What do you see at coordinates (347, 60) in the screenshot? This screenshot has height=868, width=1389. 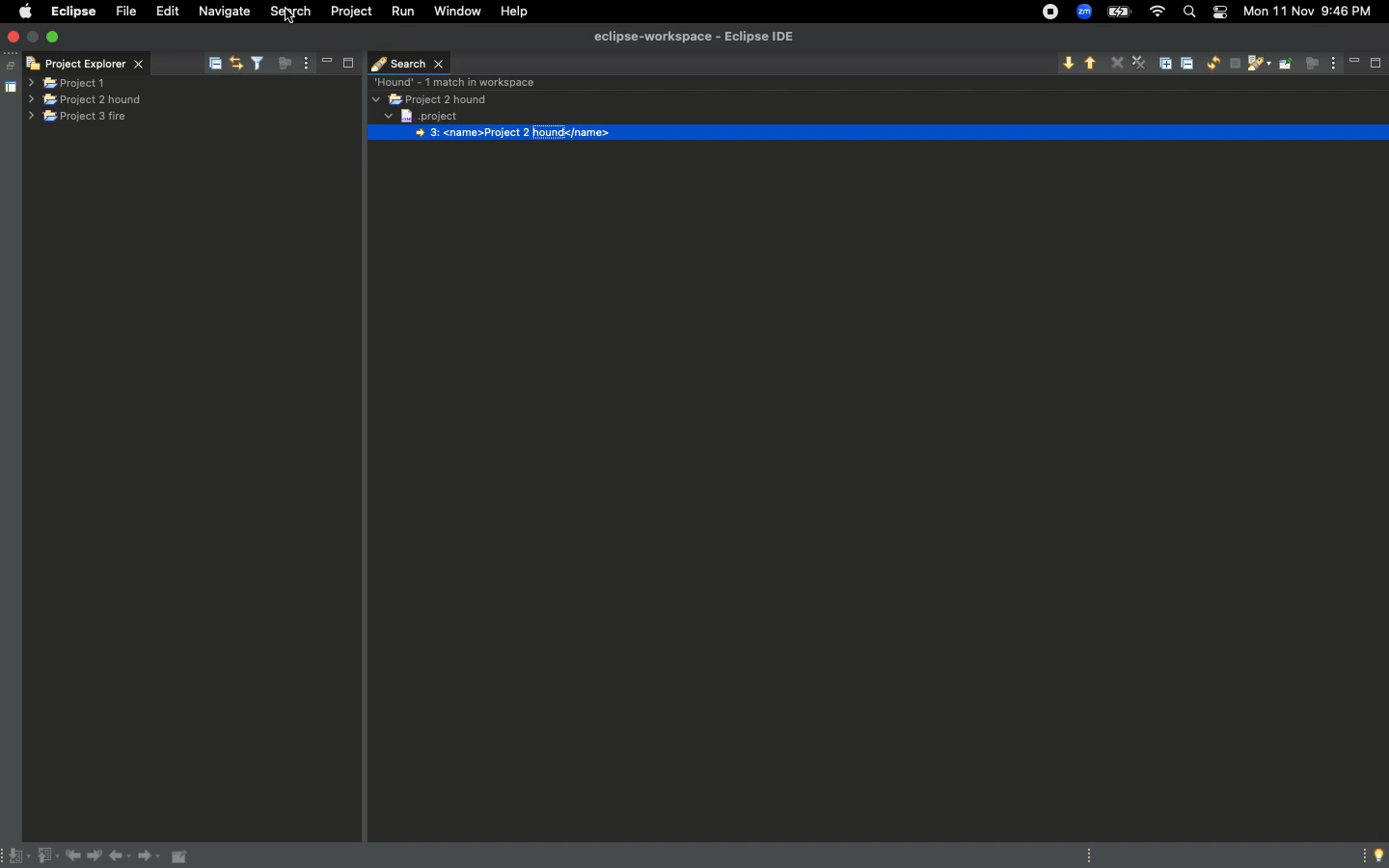 I see `maximise` at bounding box center [347, 60].